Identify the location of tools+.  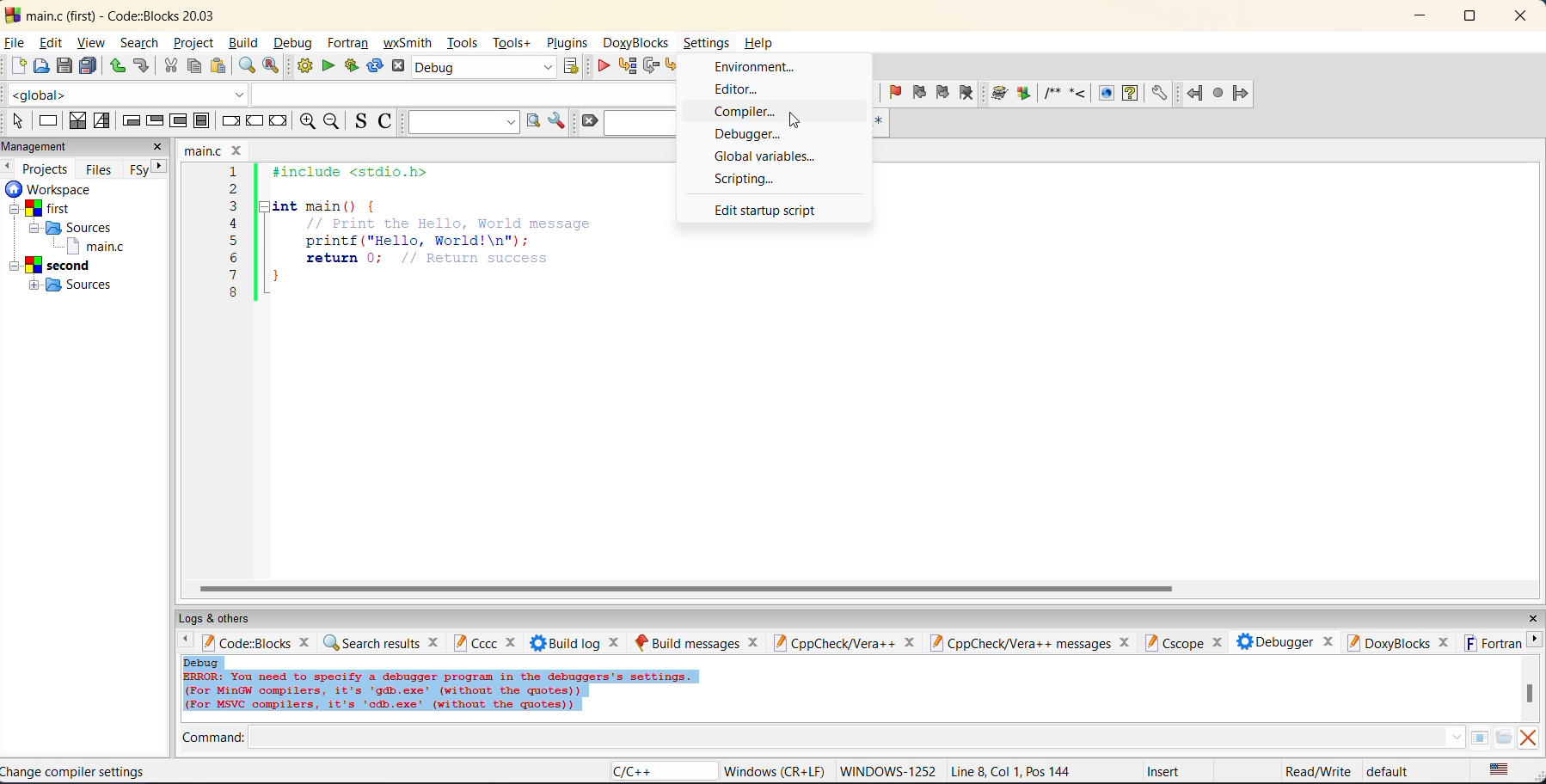
(515, 44).